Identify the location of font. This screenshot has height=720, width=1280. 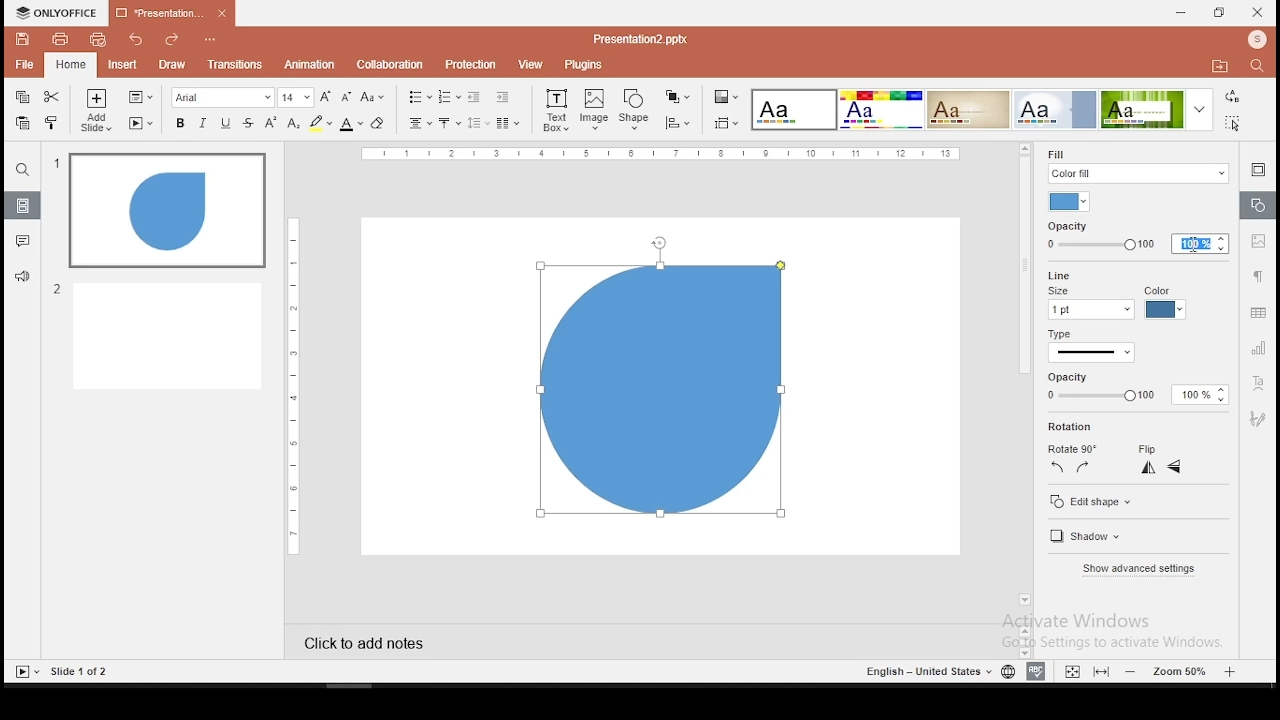
(223, 98).